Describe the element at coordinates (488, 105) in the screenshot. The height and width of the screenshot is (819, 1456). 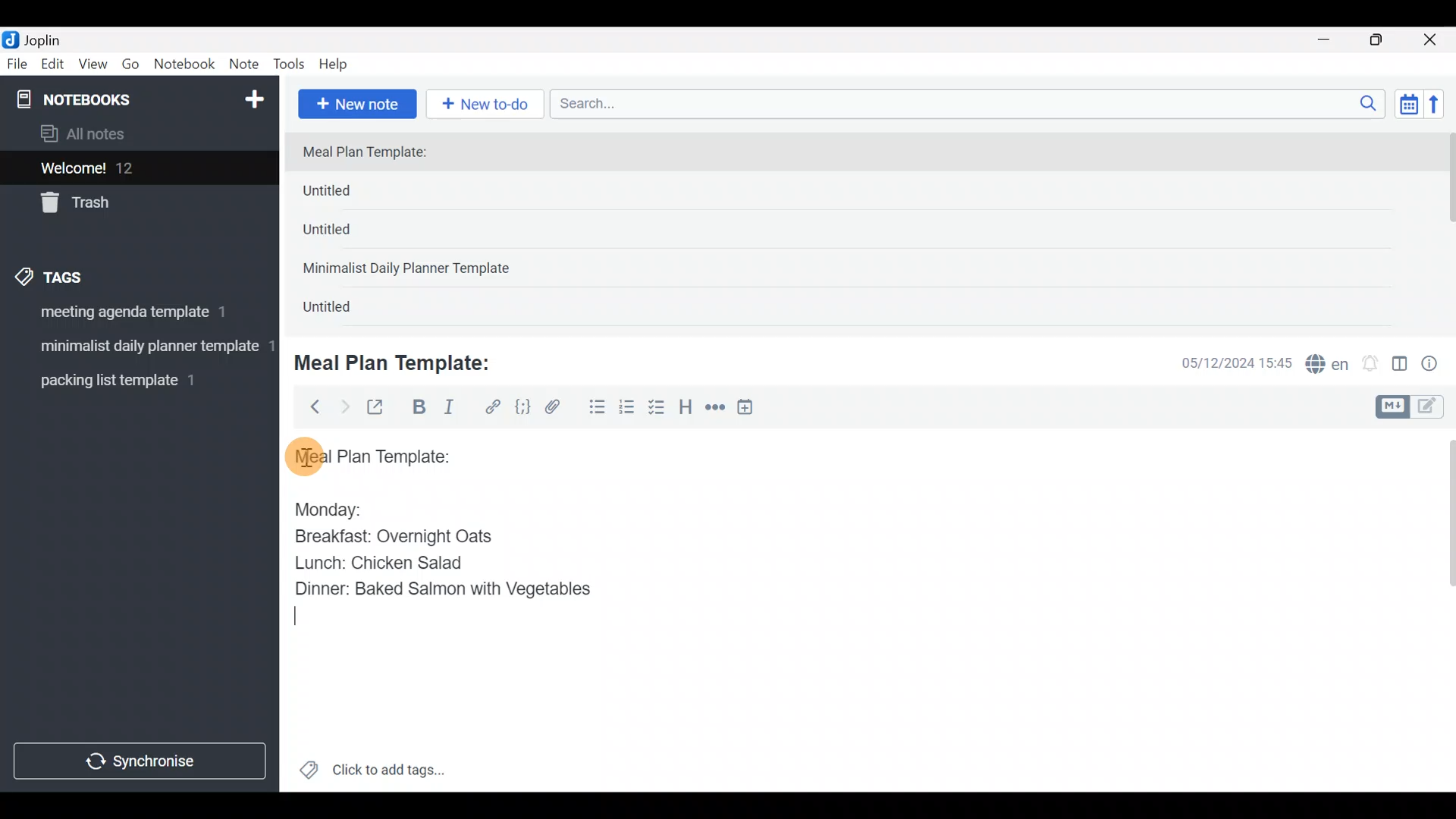
I see `New to-do` at that location.